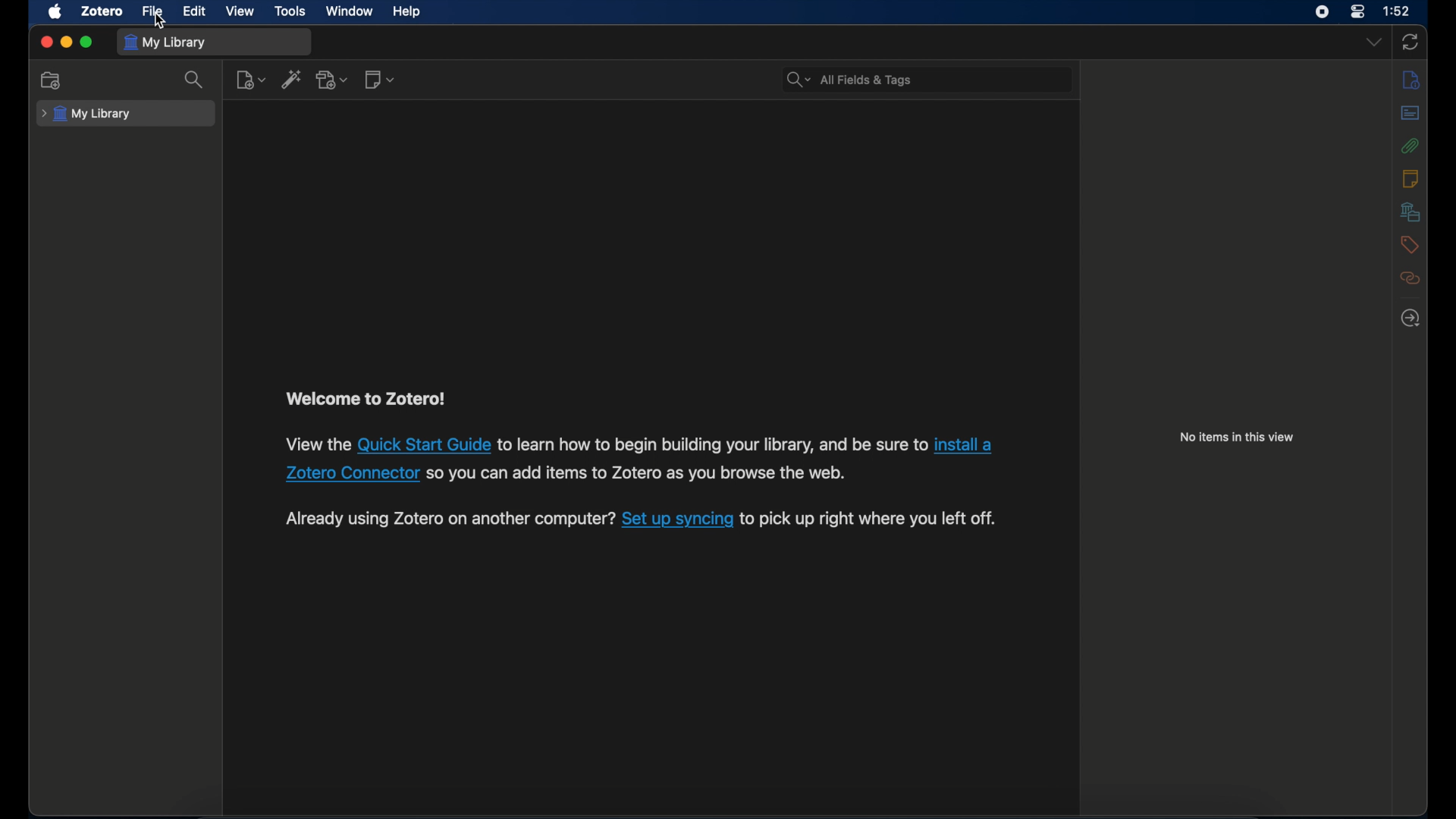 The width and height of the screenshot is (1456, 819). What do you see at coordinates (65, 42) in the screenshot?
I see `minimize` at bounding box center [65, 42].